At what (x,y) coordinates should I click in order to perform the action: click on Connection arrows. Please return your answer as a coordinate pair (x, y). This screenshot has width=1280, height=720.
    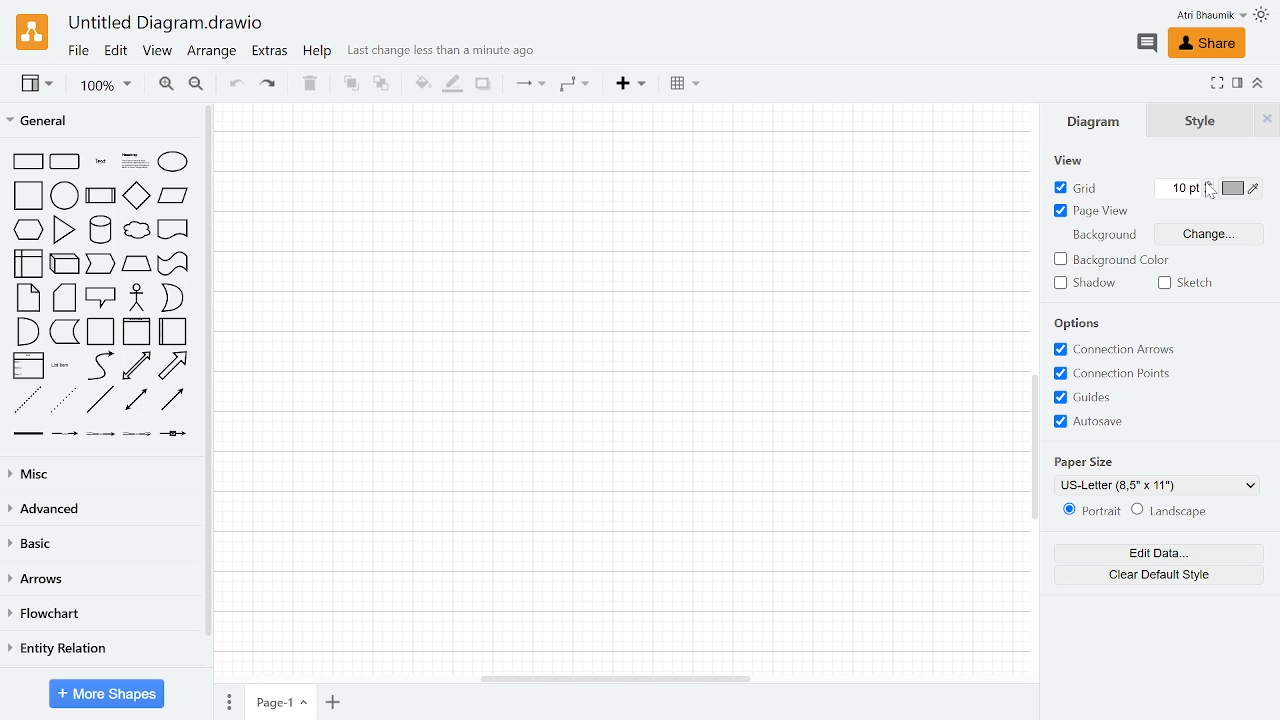
    Looking at the image, I should click on (1116, 351).